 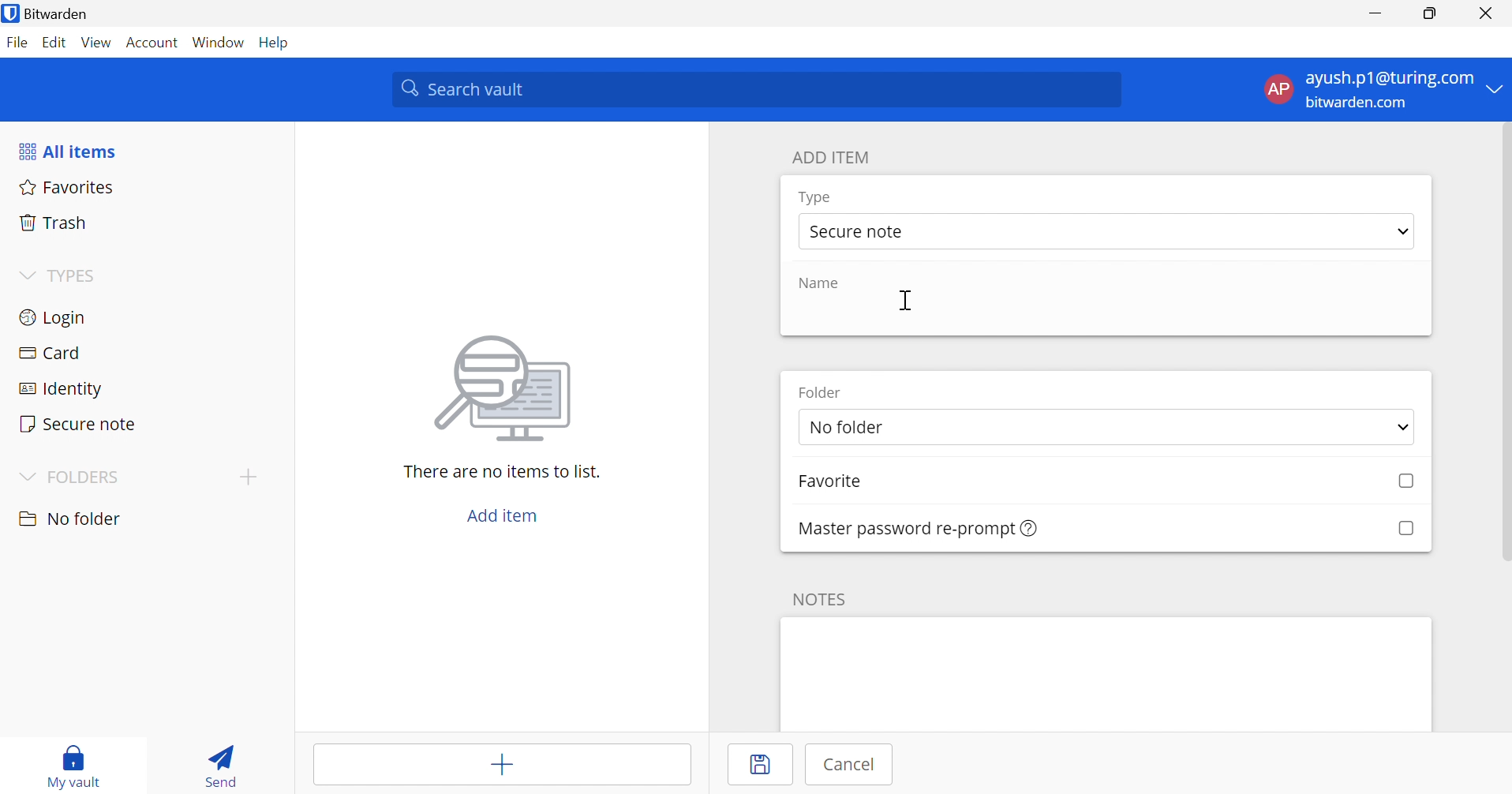 What do you see at coordinates (1484, 13) in the screenshot?
I see `Close` at bounding box center [1484, 13].